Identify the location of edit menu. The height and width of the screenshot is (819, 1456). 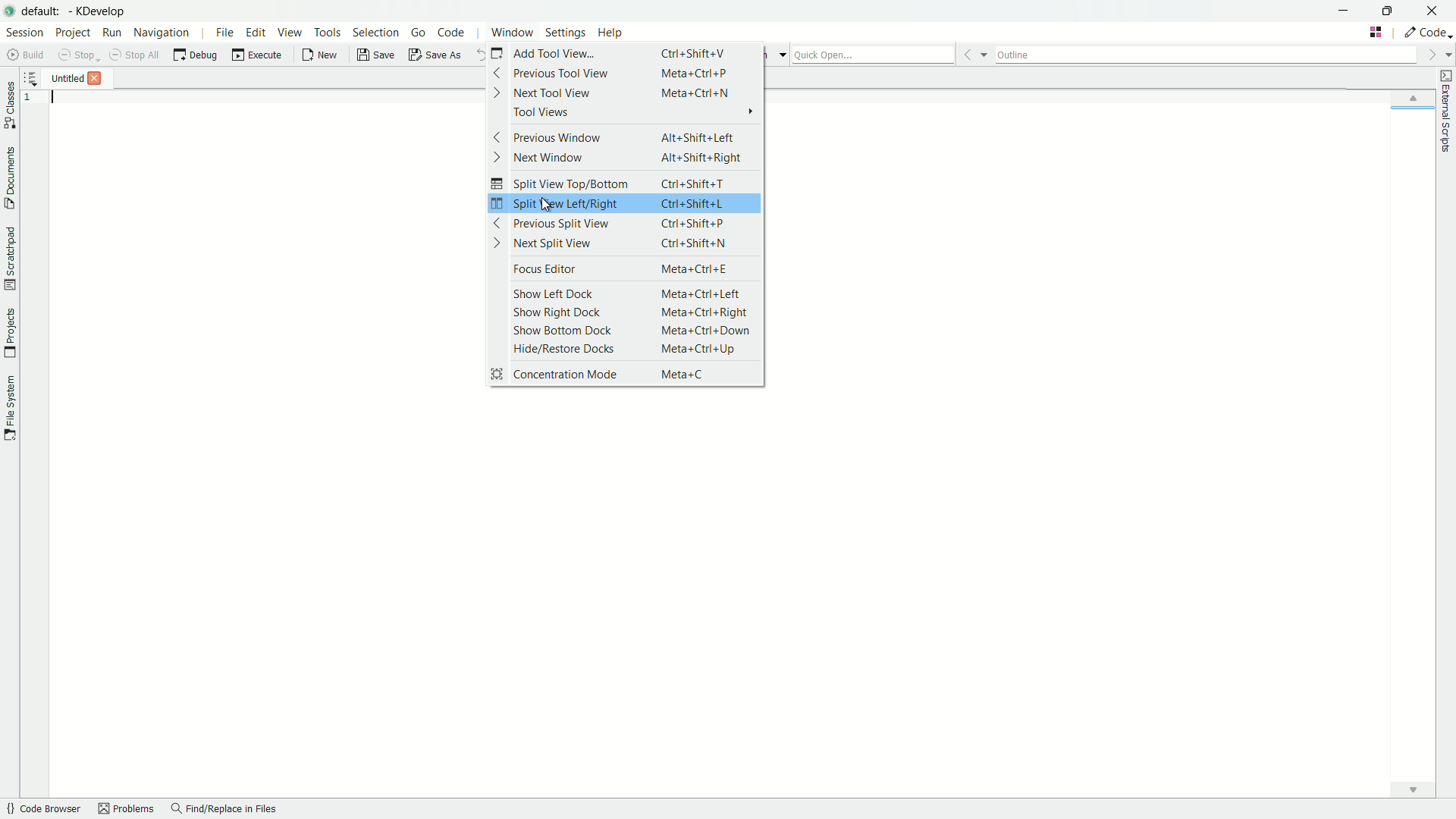
(259, 33).